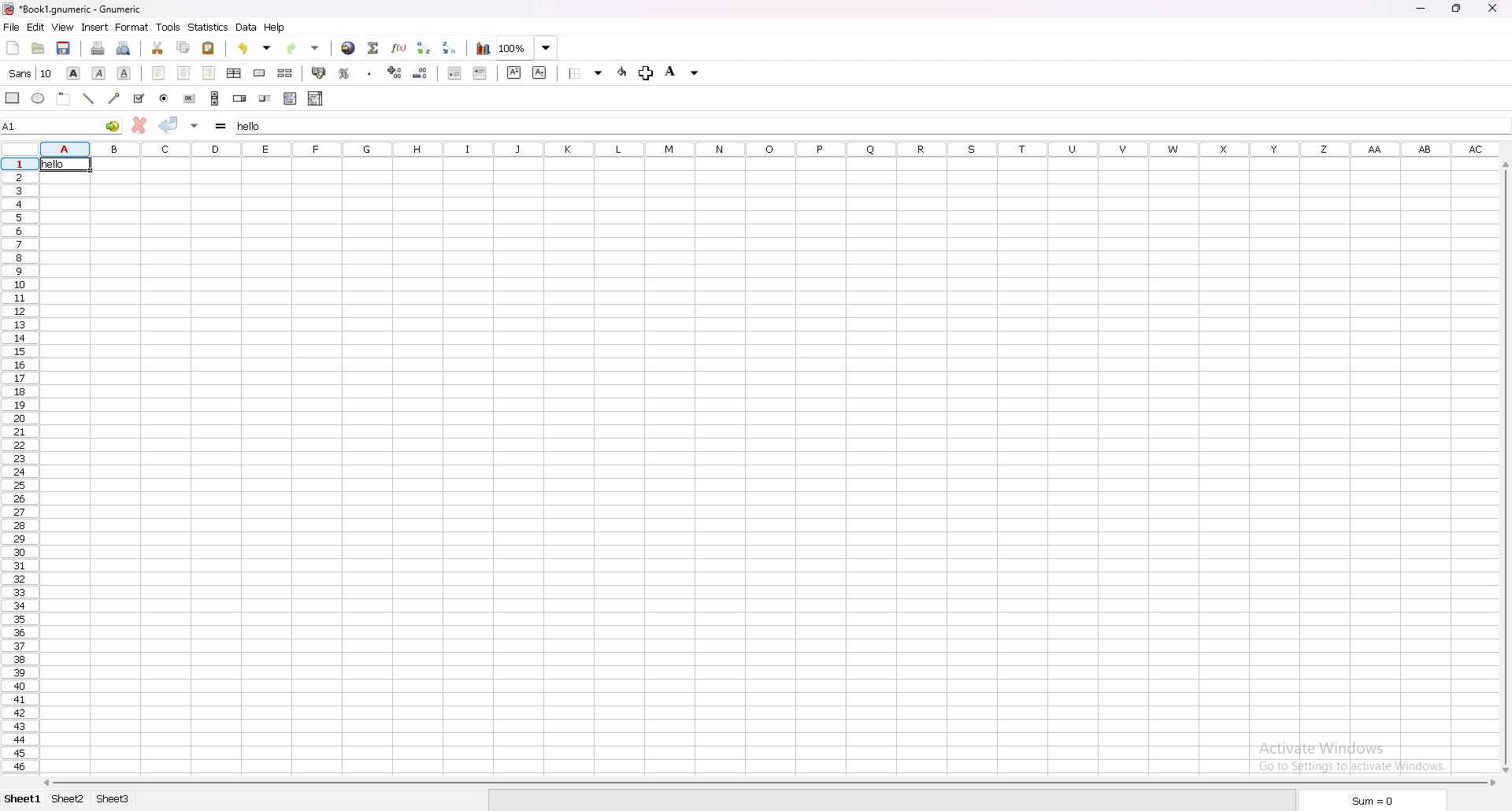 The width and height of the screenshot is (1512, 811). Describe the element at coordinates (276, 28) in the screenshot. I see `help` at that location.